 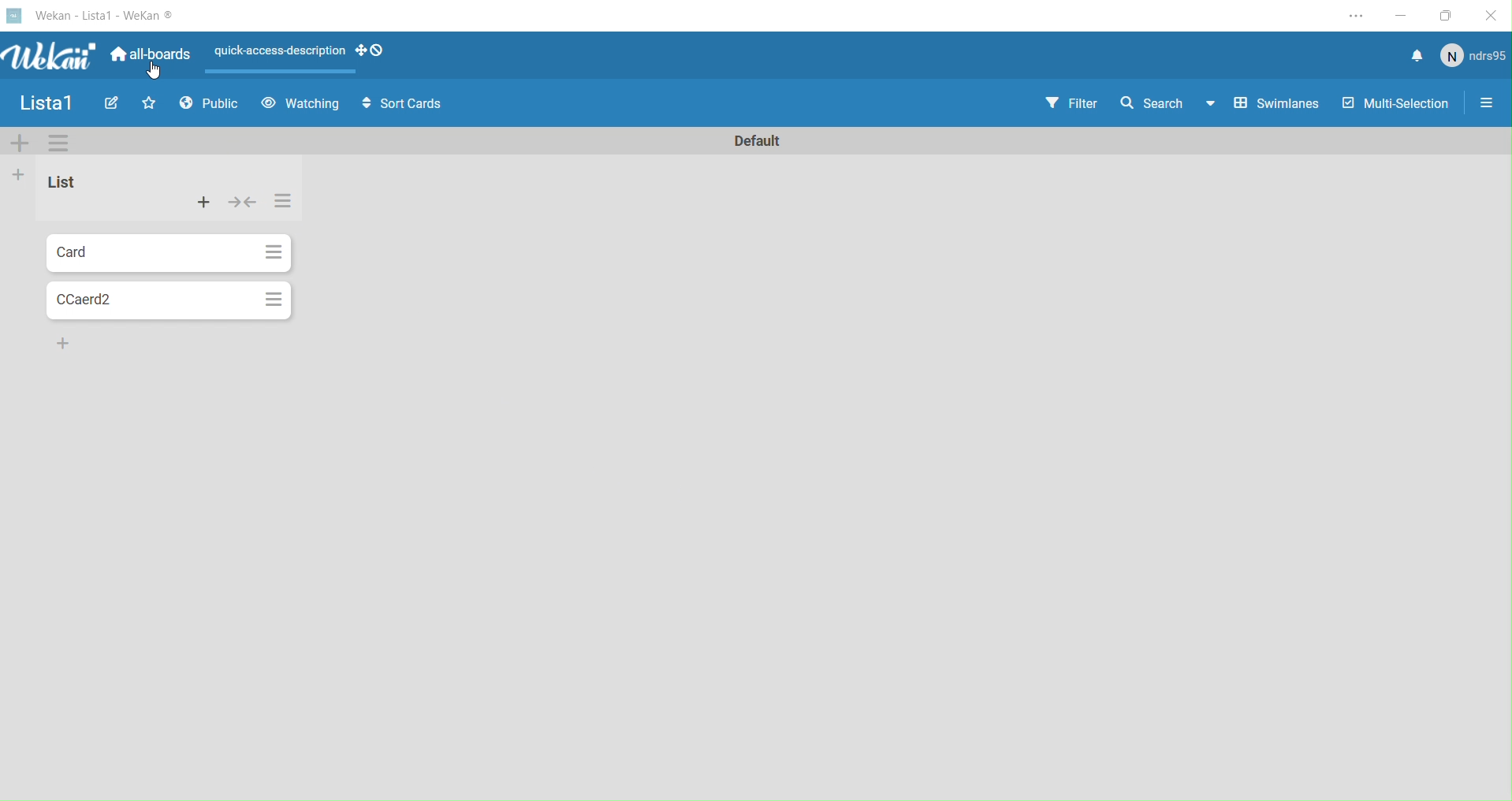 I want to click on Watching, so click(x=300, y=106).